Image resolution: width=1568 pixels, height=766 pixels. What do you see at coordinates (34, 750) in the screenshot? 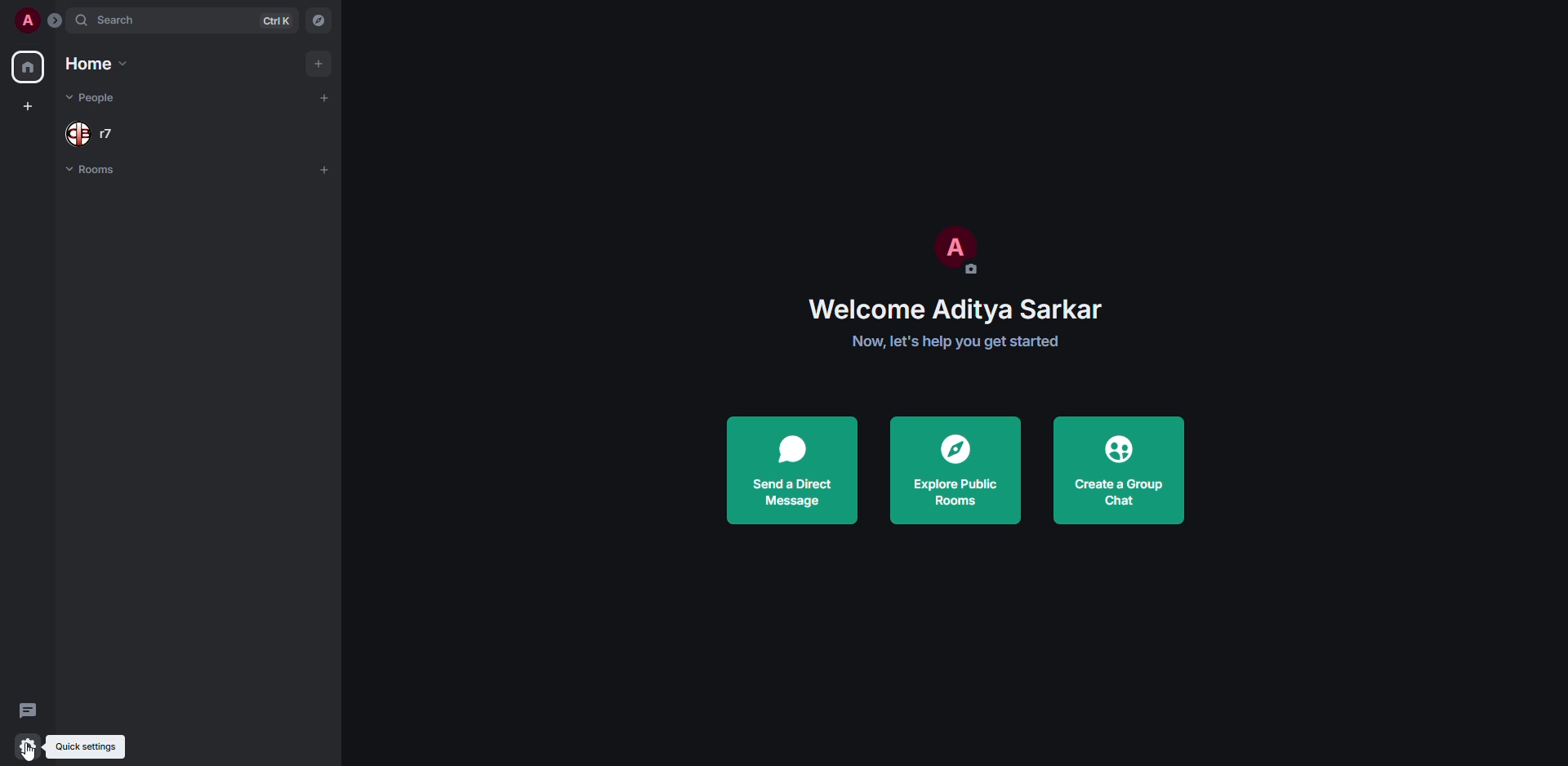
I see `cursor` at bounding box center [34, 750].